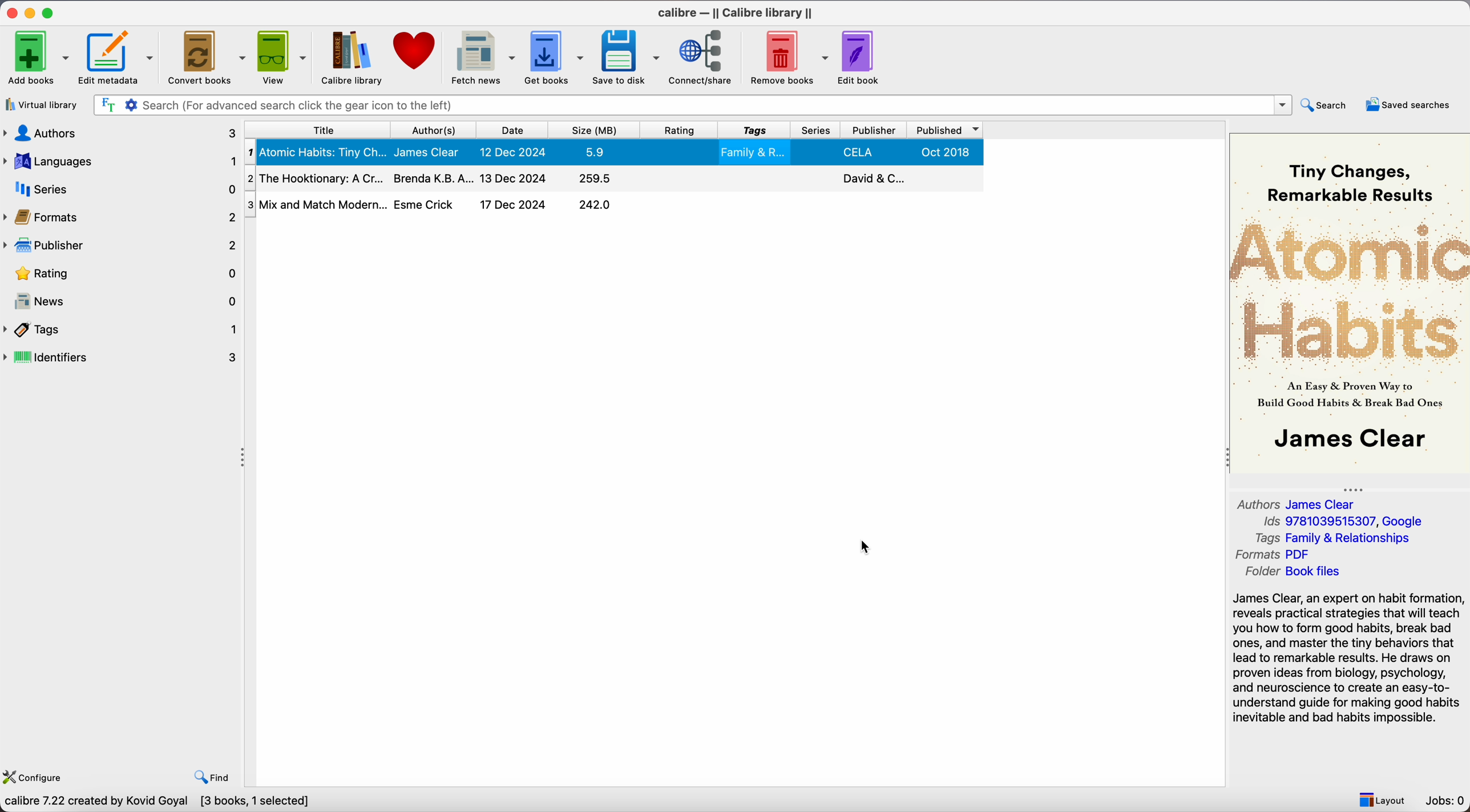  What do you see at coordinates (120, 134) in the screenshot?
I see `authors` at bounding box center [120, 134].